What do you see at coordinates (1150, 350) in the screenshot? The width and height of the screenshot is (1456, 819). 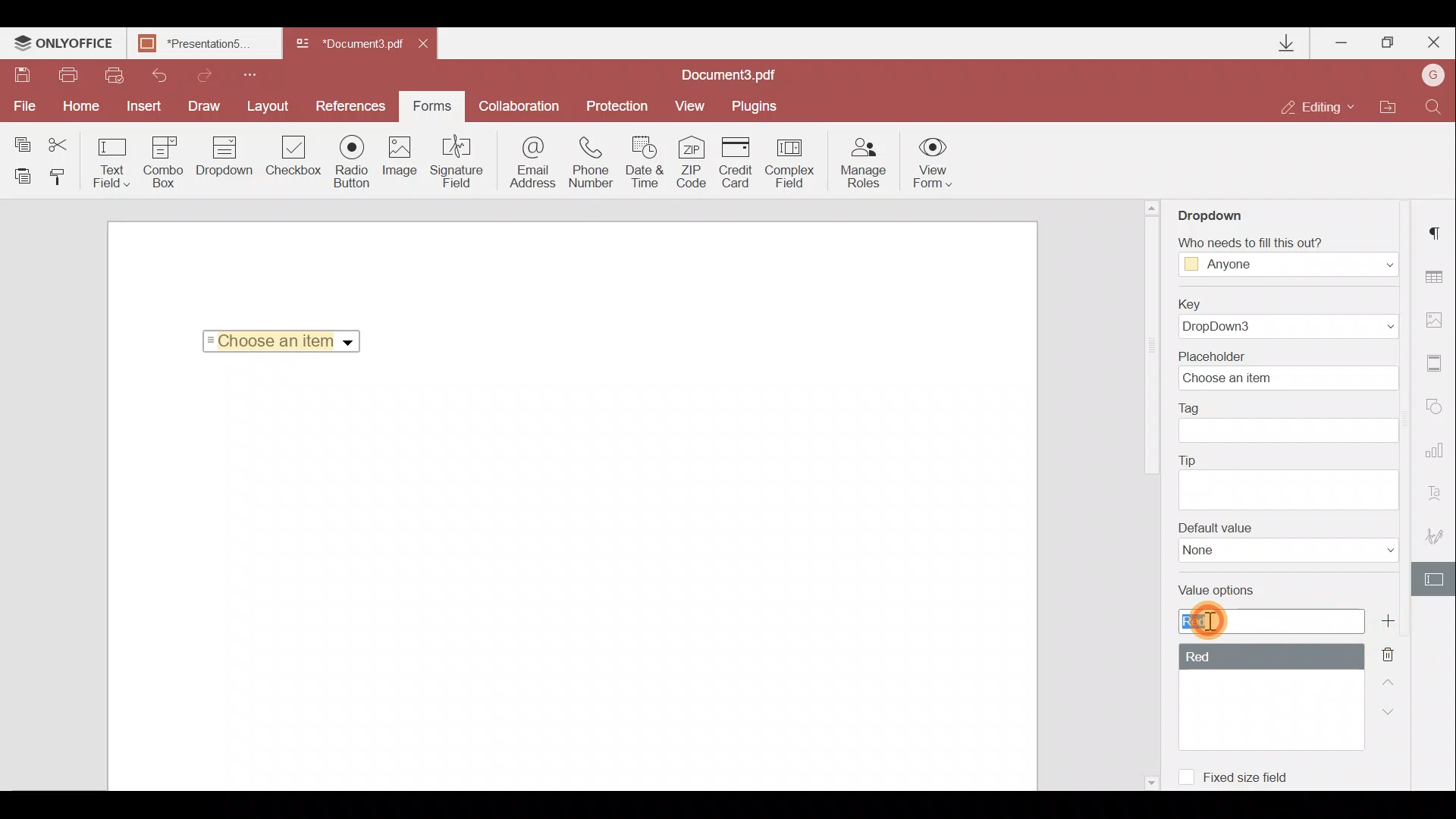 I see `Scroll bar` at bounding box center [1150, 350].